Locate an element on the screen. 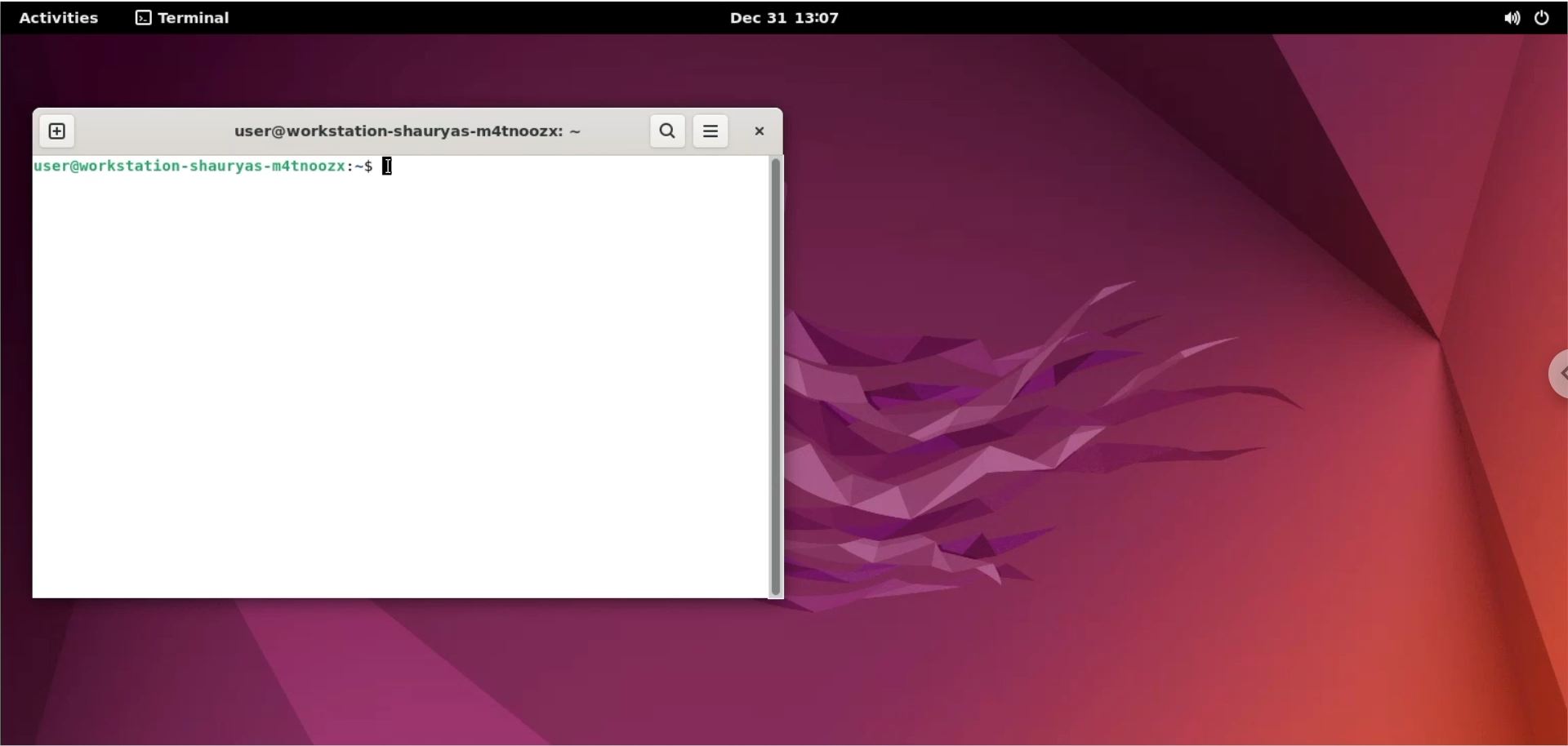 The width and height of the screenshot is (1568, 746). scrollbar is located at coordinates (781, 376).